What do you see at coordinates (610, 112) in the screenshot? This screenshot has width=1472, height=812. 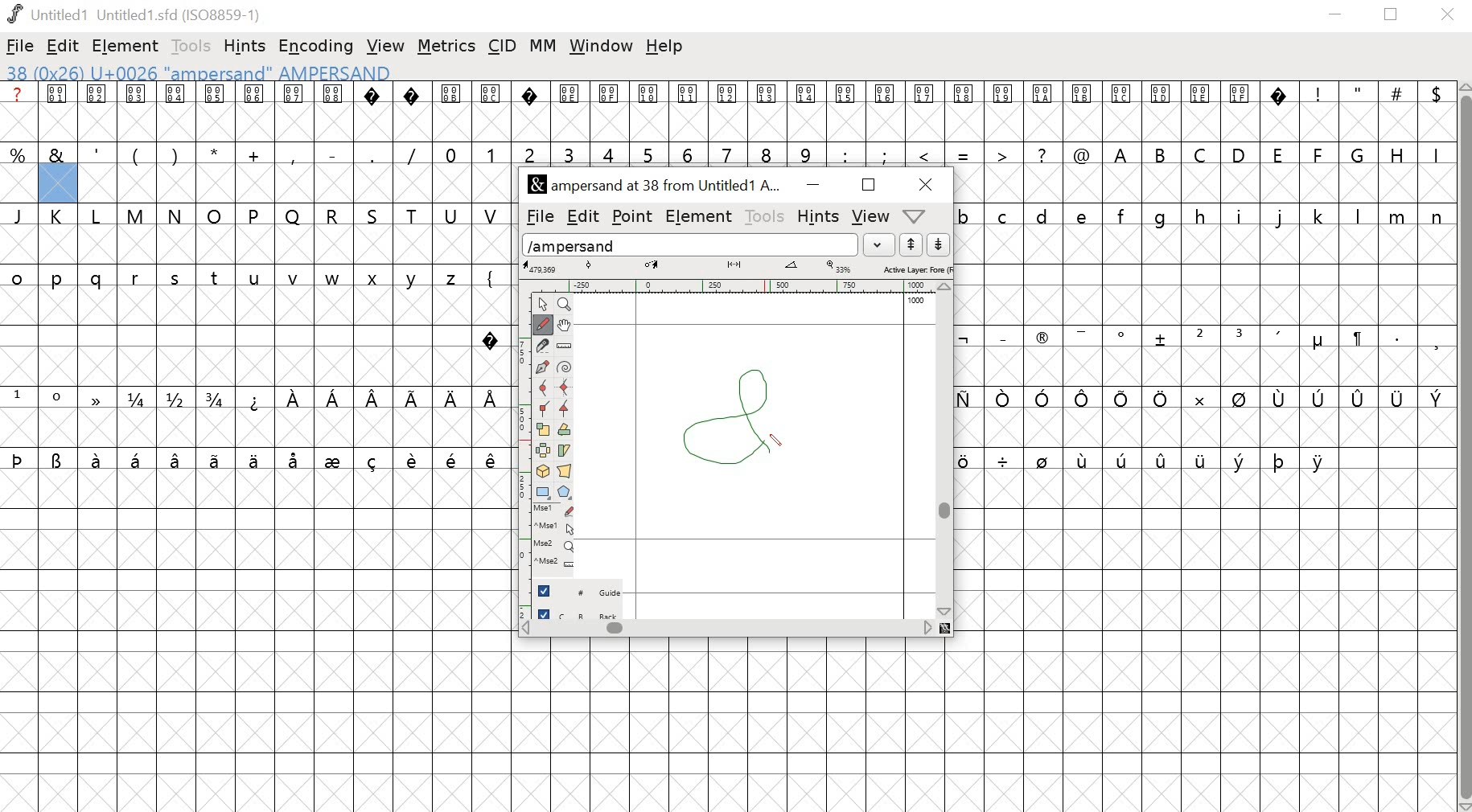 I see `000F` at bounding box center [610, 112].